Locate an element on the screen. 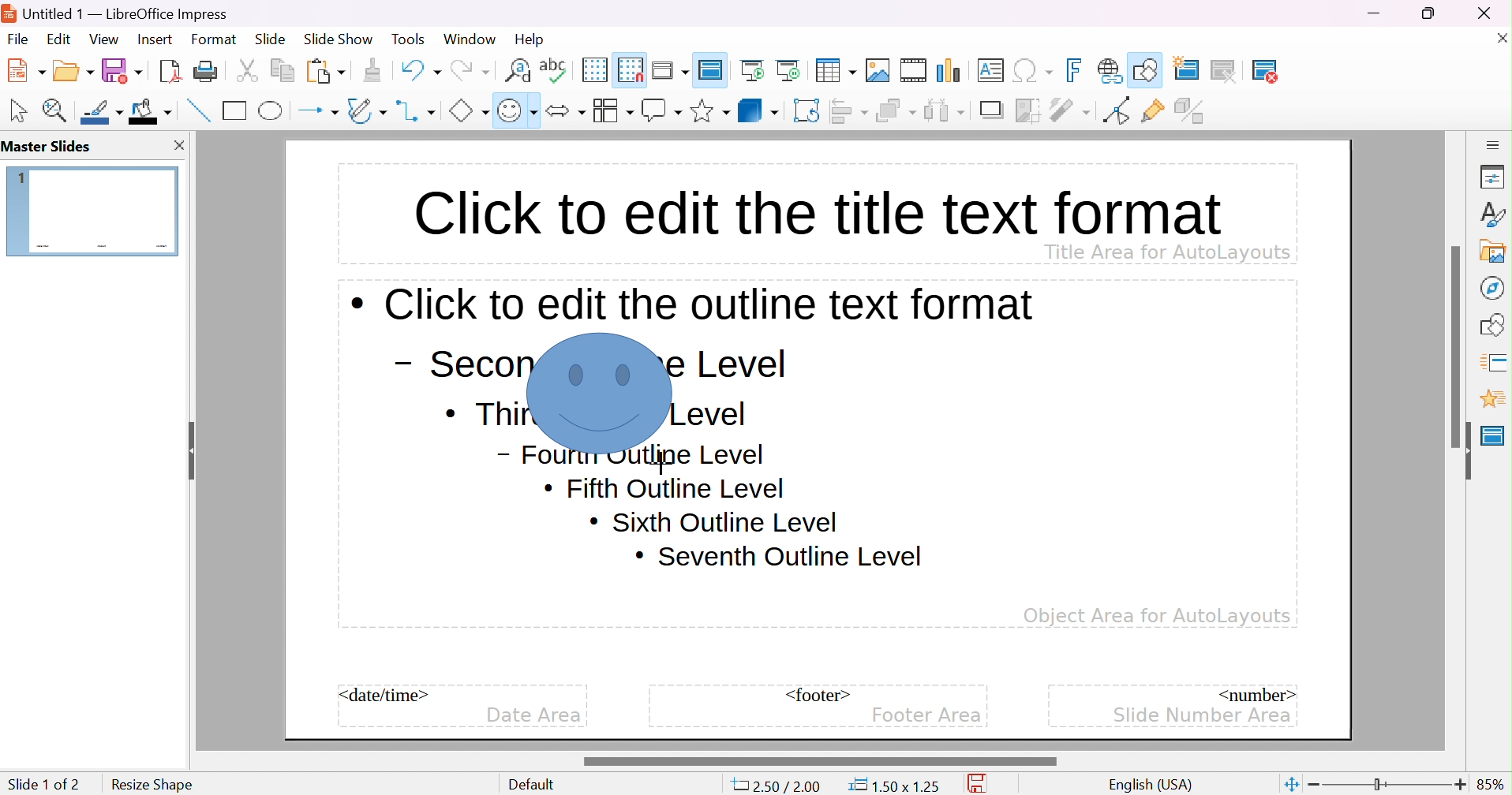 Image resolution: width=1512 pixels, height=795 pixels. shapes is located at coordinates (1495, 323).